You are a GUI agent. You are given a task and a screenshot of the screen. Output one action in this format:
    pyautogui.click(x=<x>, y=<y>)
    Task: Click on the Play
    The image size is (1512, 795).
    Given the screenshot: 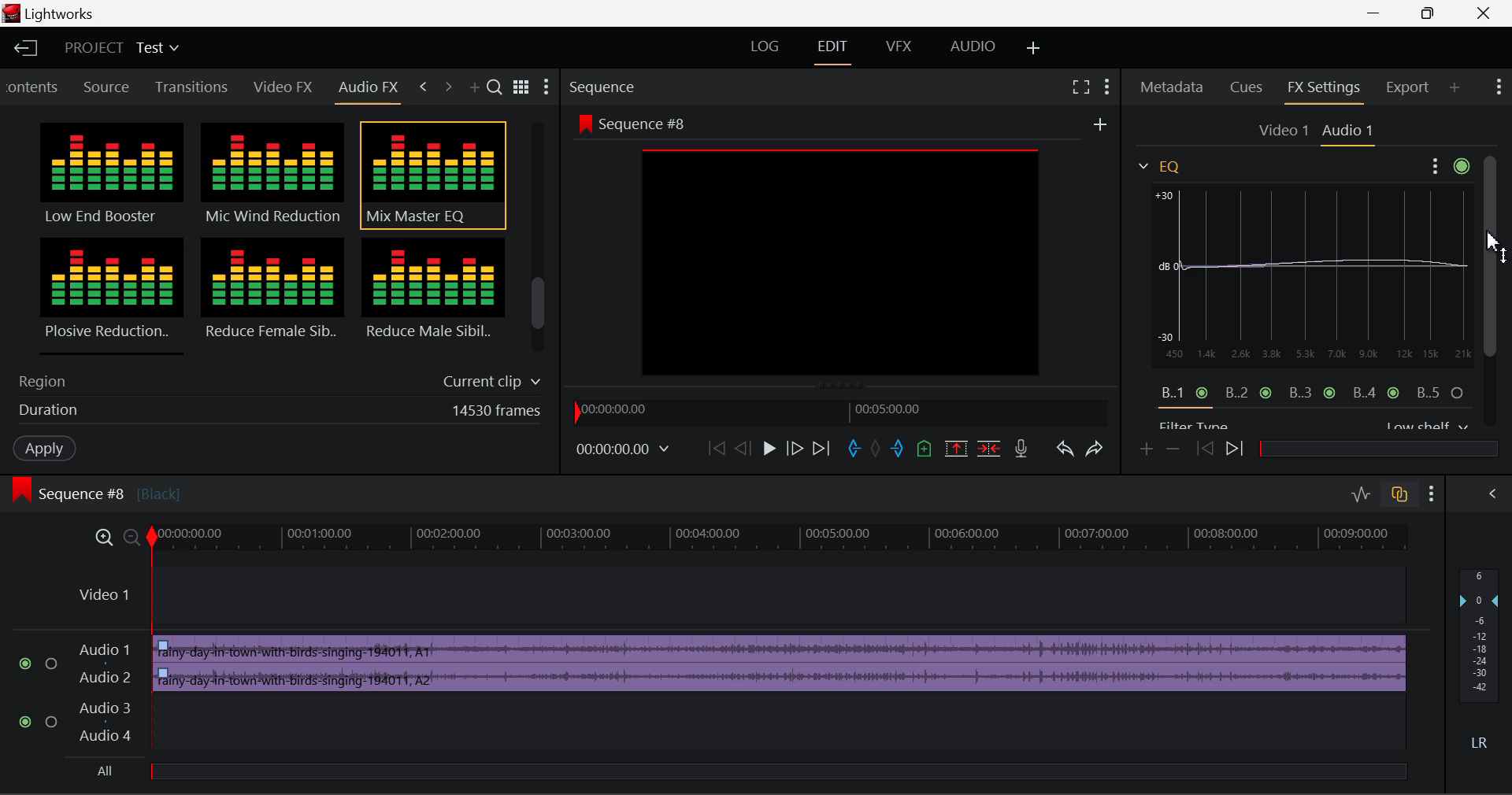 What is the action you would take?
    pyautogui.click(x=769, y=449)
    